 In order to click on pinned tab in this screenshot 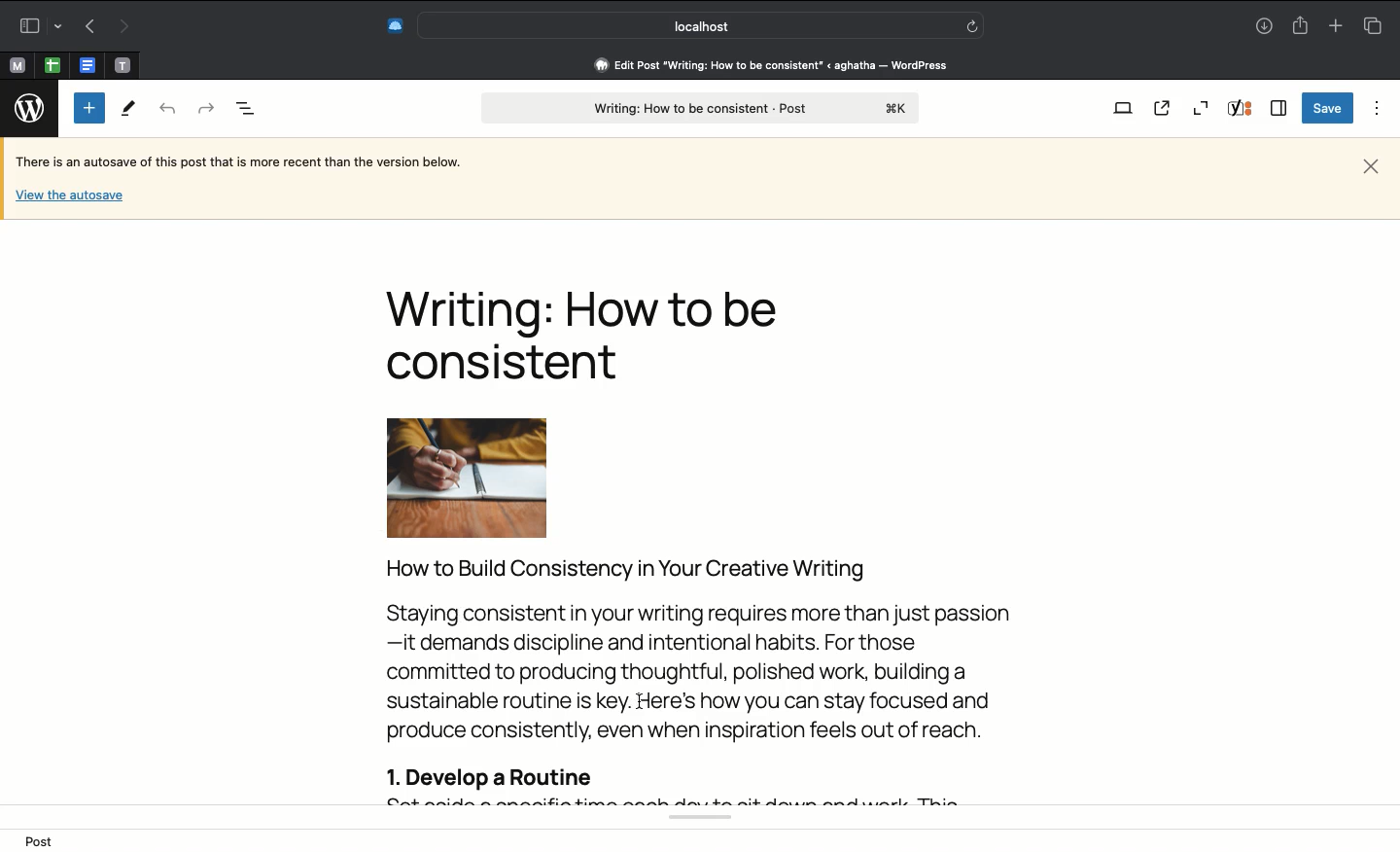, I will do `click(16, 63)`.